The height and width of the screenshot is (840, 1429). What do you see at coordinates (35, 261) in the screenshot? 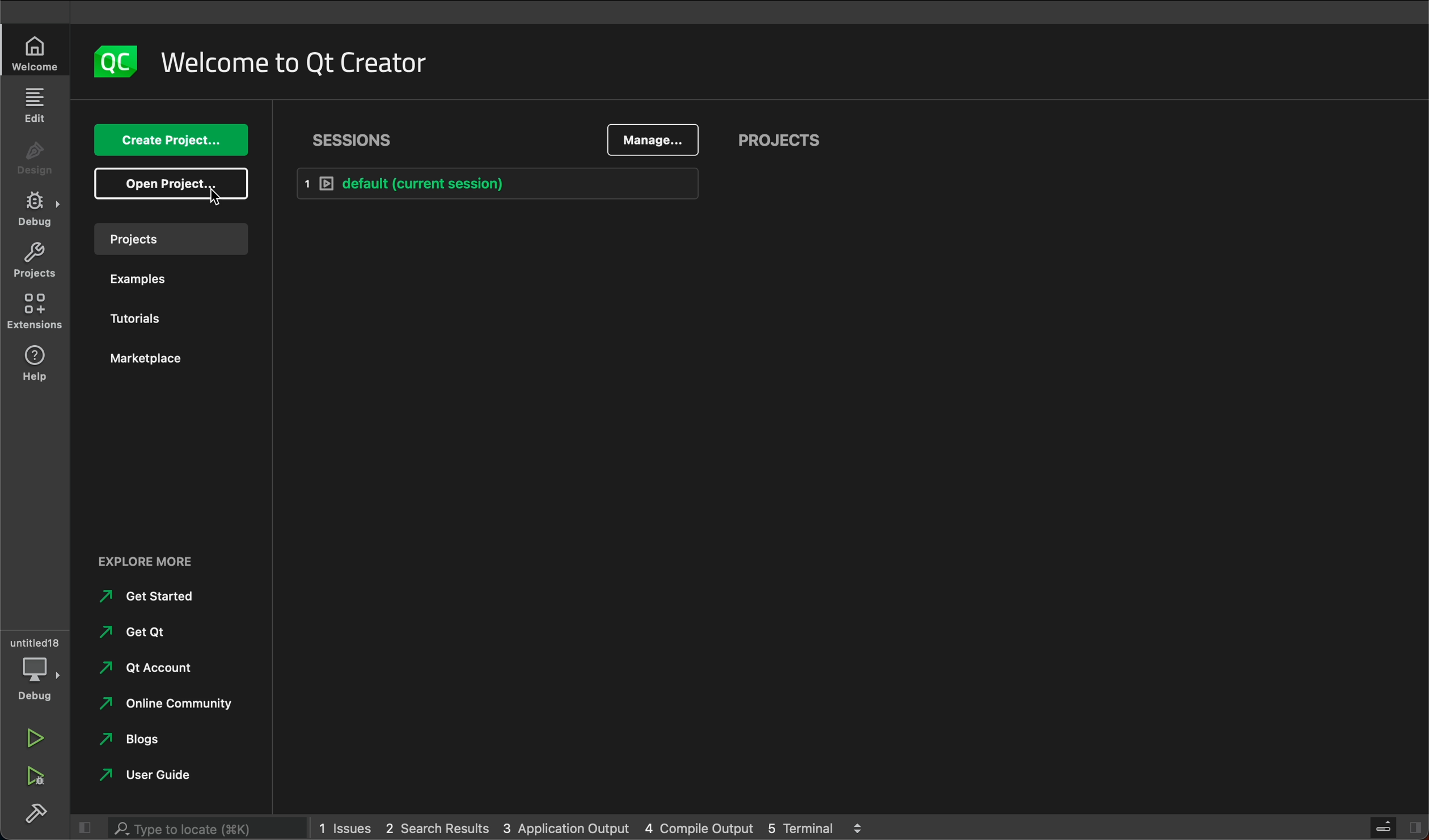
I see `projects` at bounding box center [35, 261].